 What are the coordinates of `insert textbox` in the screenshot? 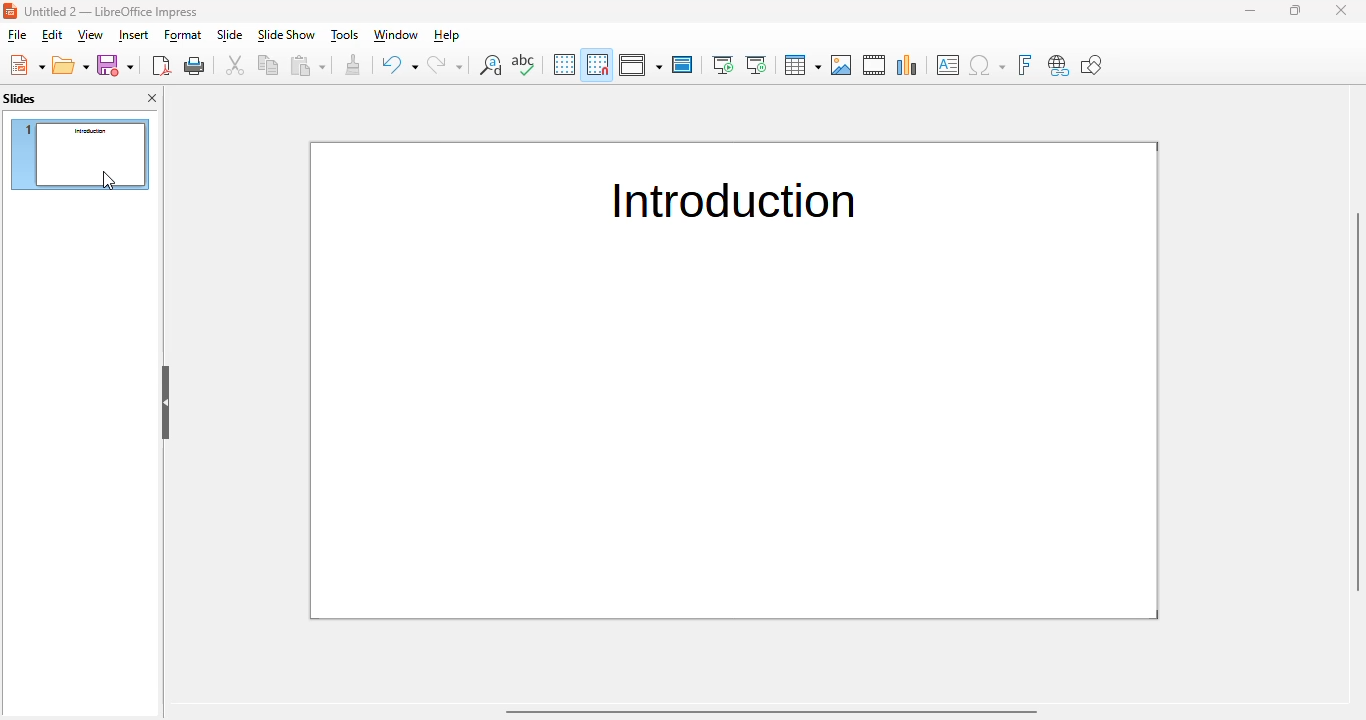 It's located at (948, 65).